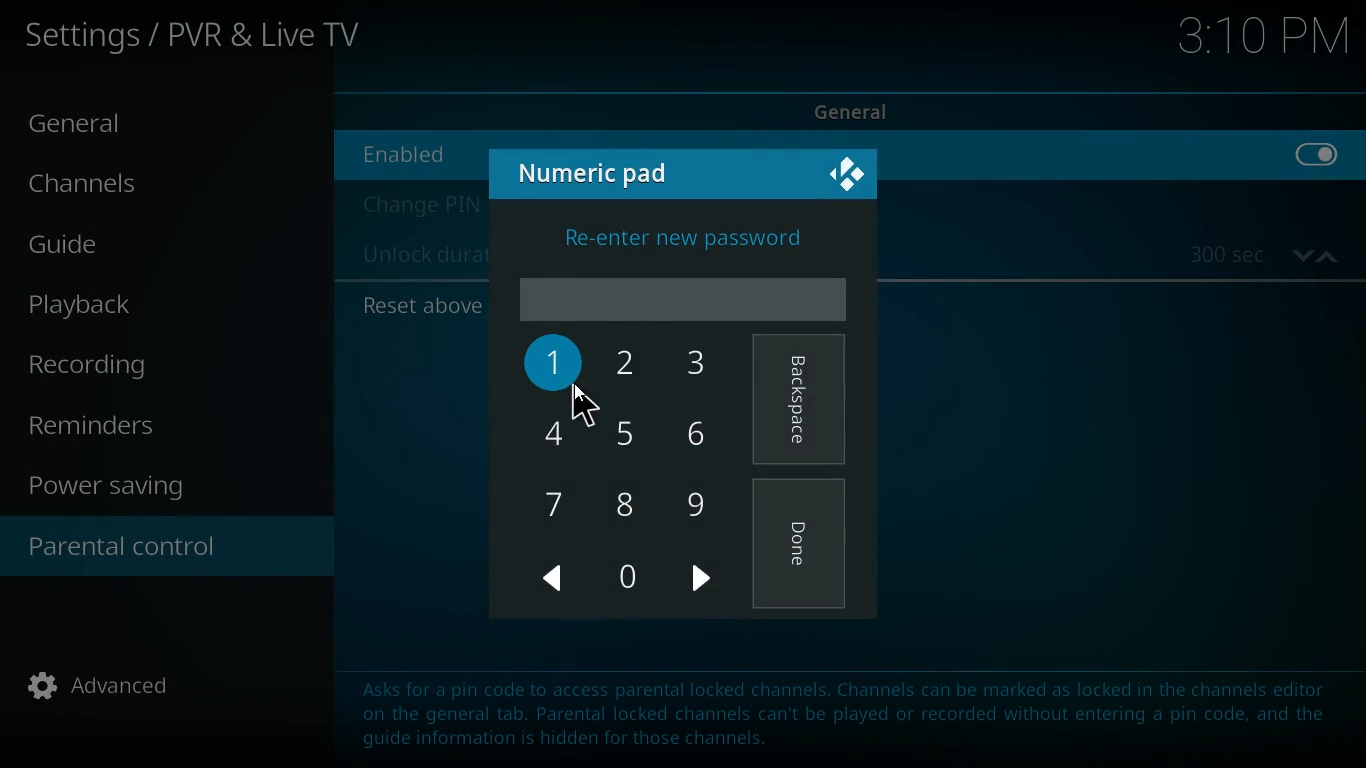 This screenshot has height=768, width=1366. I want to click on numeric pad, so click(602, 172).